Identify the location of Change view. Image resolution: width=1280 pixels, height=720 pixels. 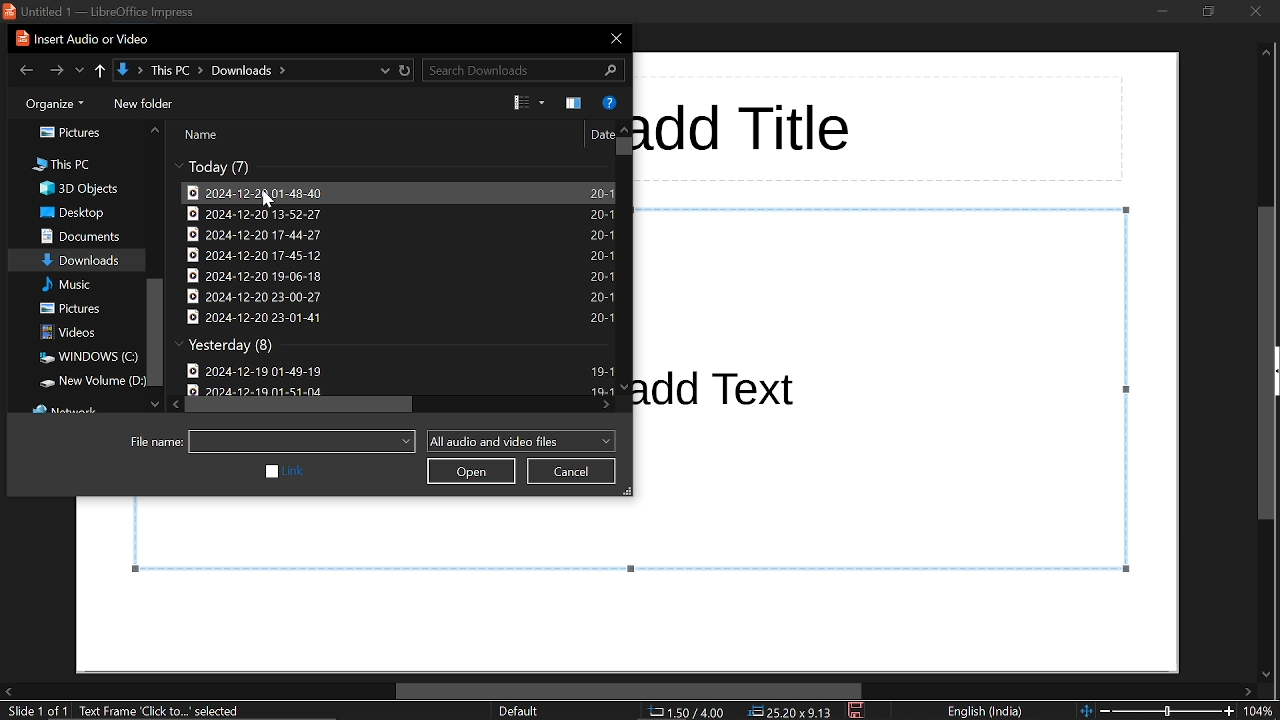
(530, 103).